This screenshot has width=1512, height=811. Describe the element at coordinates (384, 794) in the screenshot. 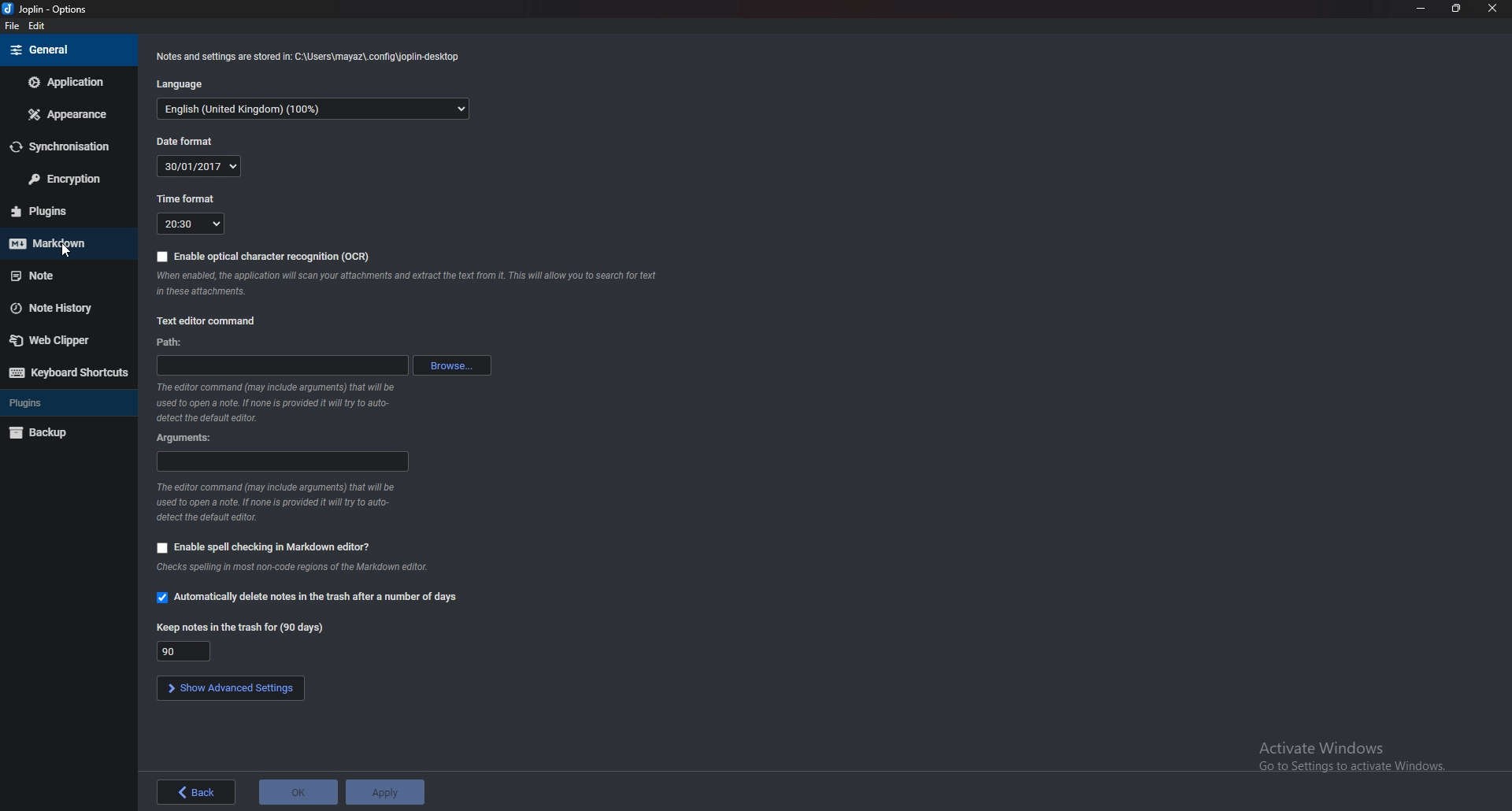

I see `apply` at that location.